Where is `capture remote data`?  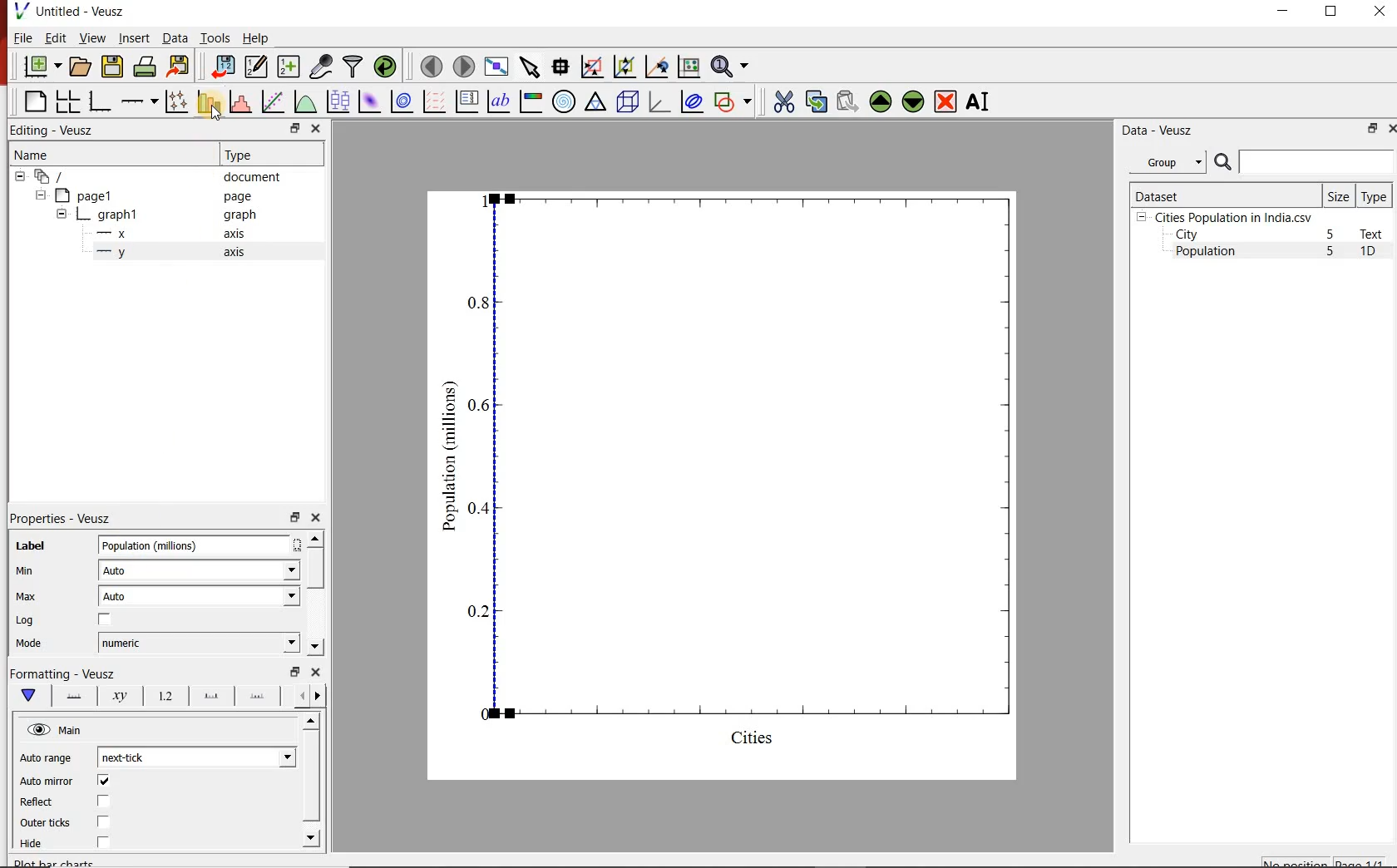
capture remote data is located at coordinates (319, 67).